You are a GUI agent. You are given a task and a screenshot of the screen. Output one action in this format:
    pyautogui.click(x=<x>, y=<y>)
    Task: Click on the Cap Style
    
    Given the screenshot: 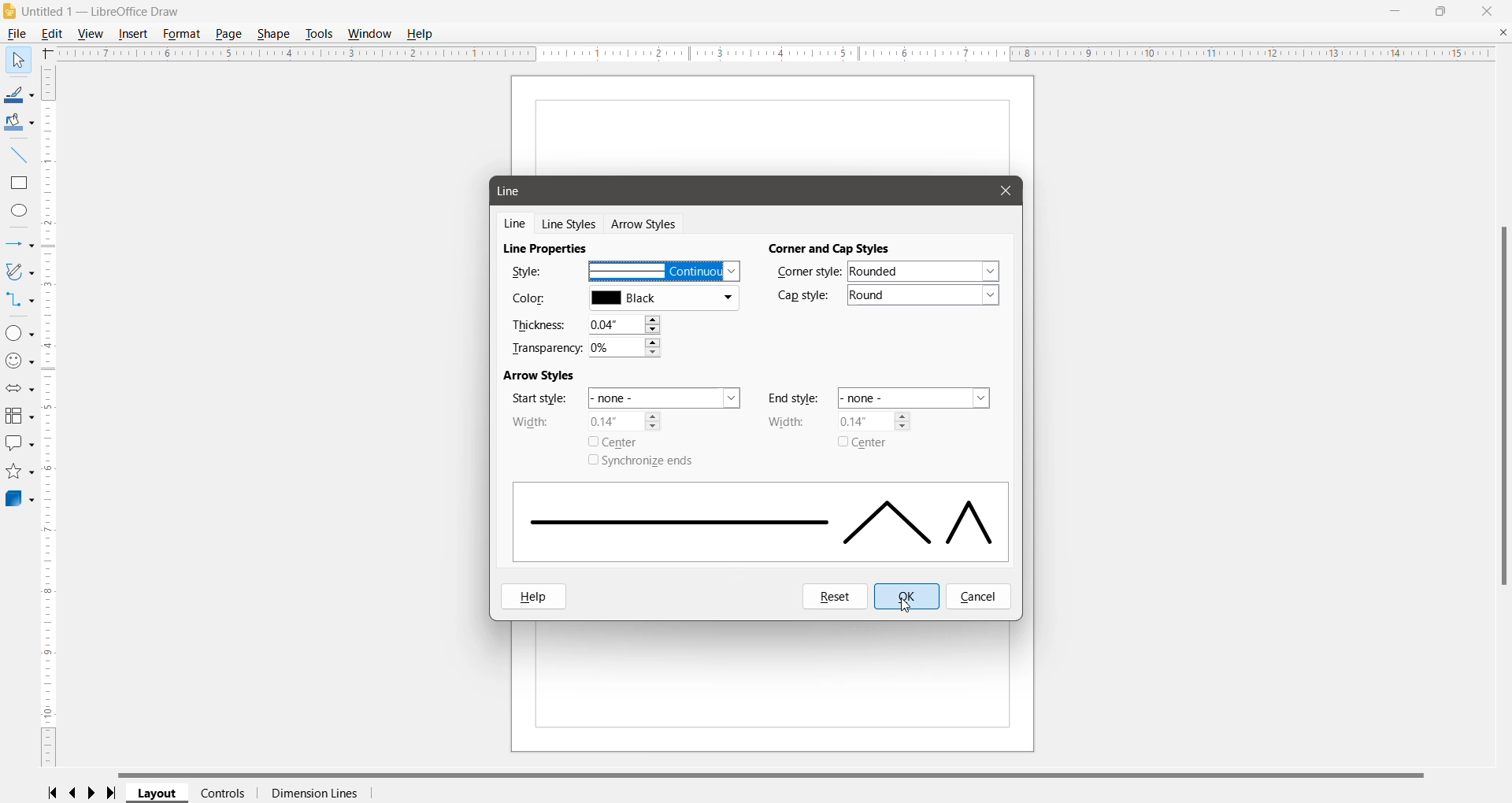 What is the action you would take?
    pyautogui.click(x=805, y=294)
    